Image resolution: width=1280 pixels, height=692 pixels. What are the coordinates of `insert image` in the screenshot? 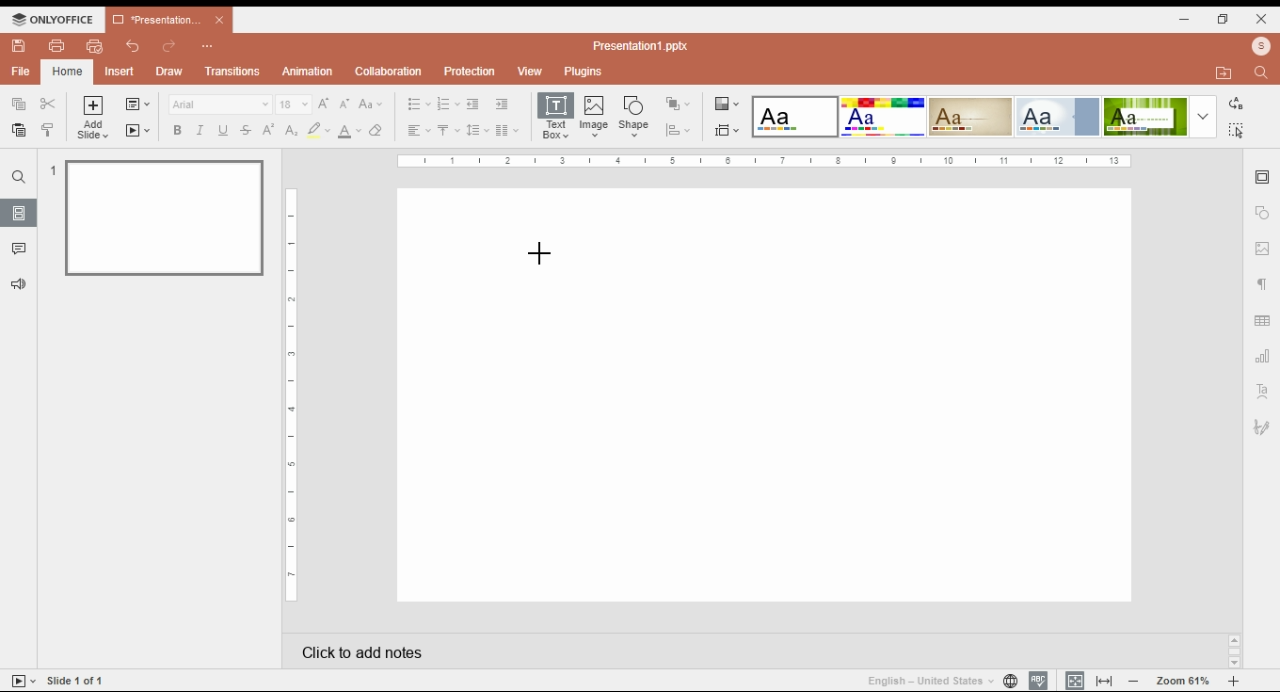 It's located at (595, 118).